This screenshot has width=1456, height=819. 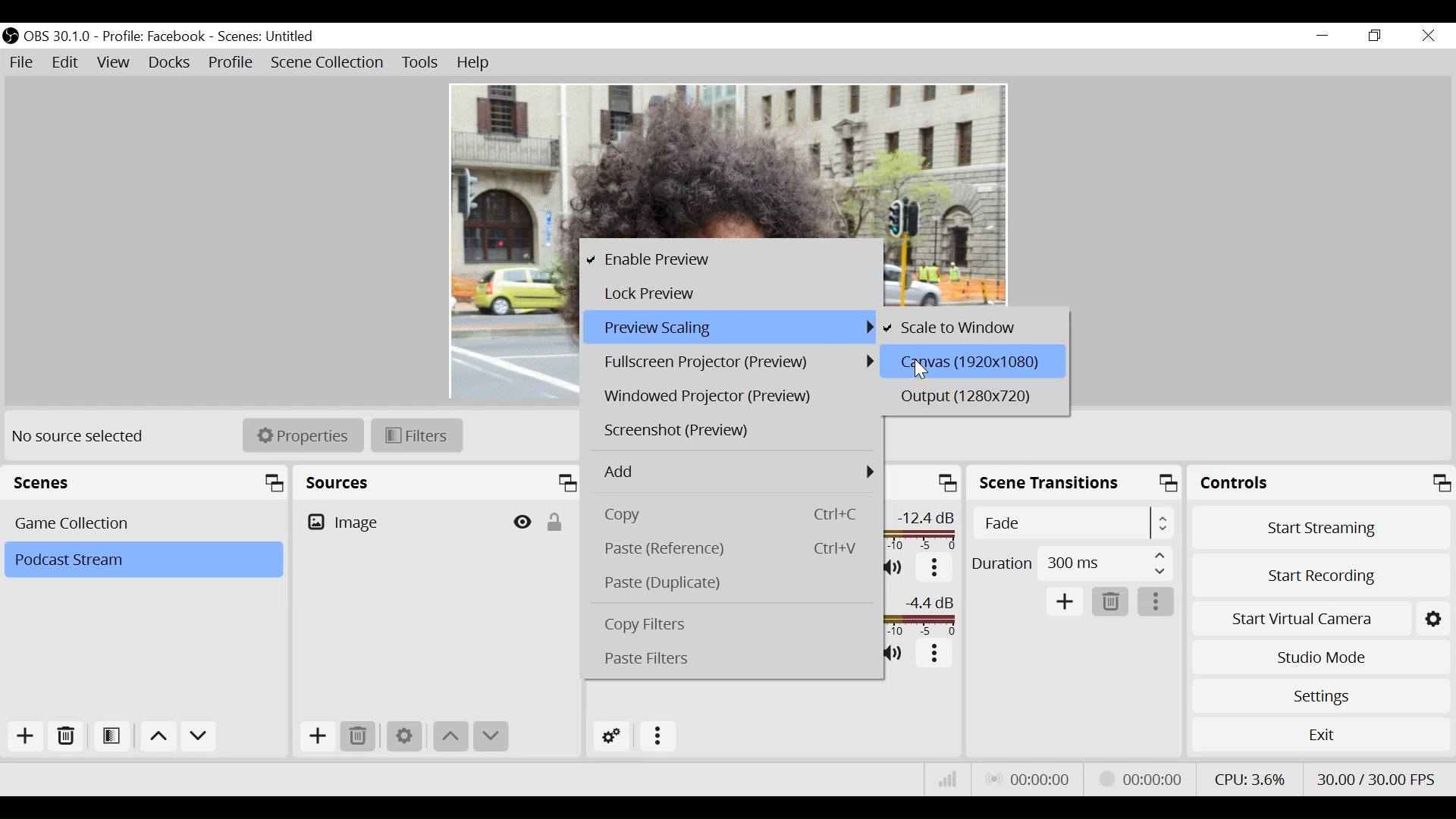 What do you see at coordinates (731, 659) in the screenshot?
I see `Paste Filters` at bounding box center [731, 659].